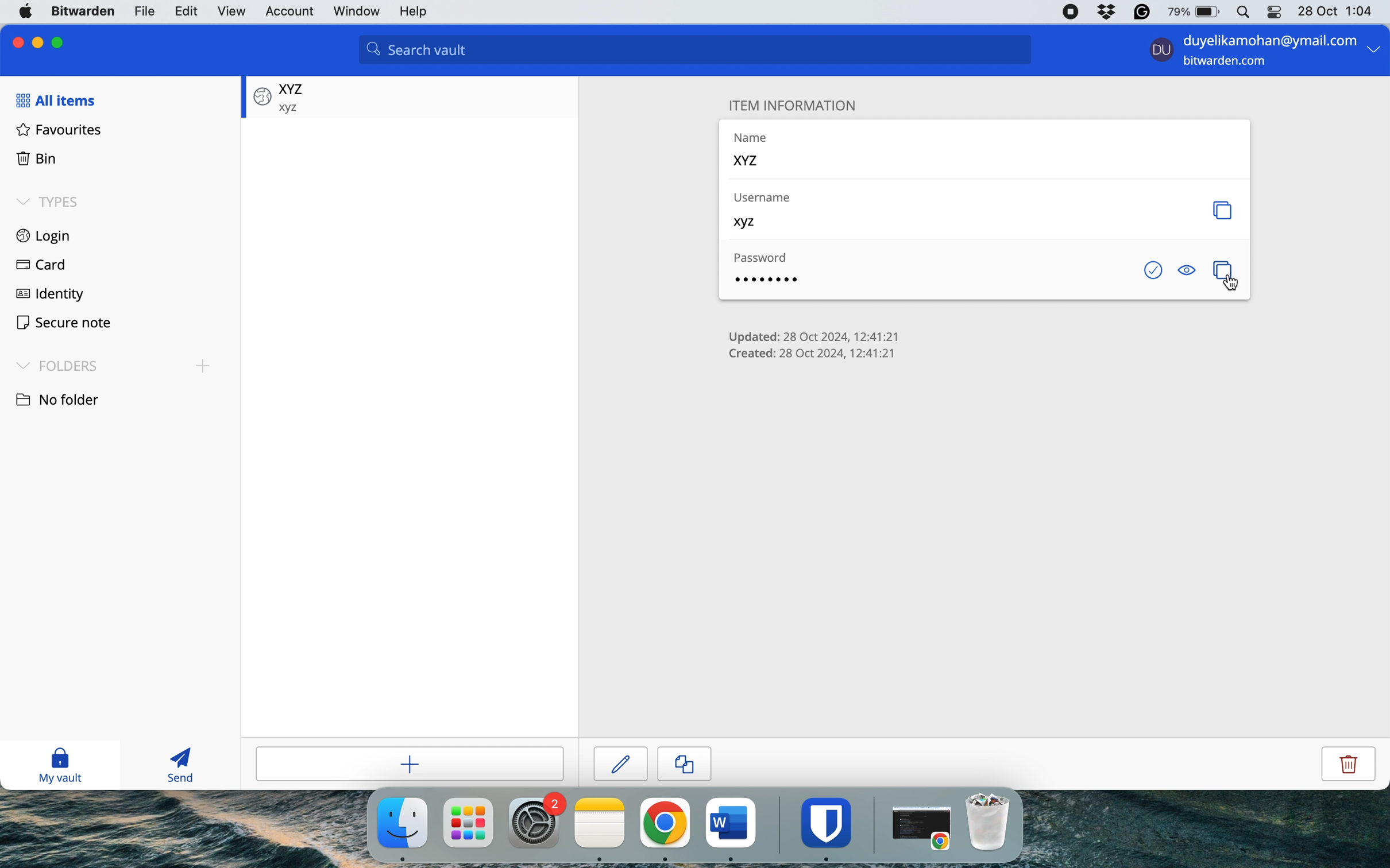 This screenshot has height=868, width=1390. What do you see at coordinates (400, 823) in the screenshot?
I see `finder` at bounding box center [400, 823].